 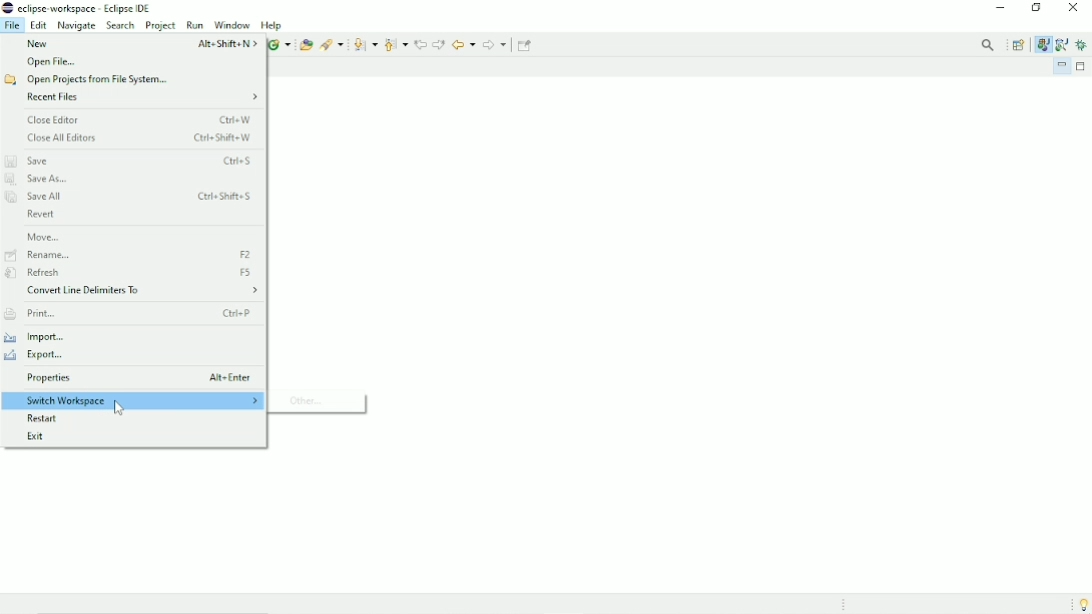 What do you see at coordinates (332, 43) in the screenshot?
I see `Search` at bounding box center [332, 43].